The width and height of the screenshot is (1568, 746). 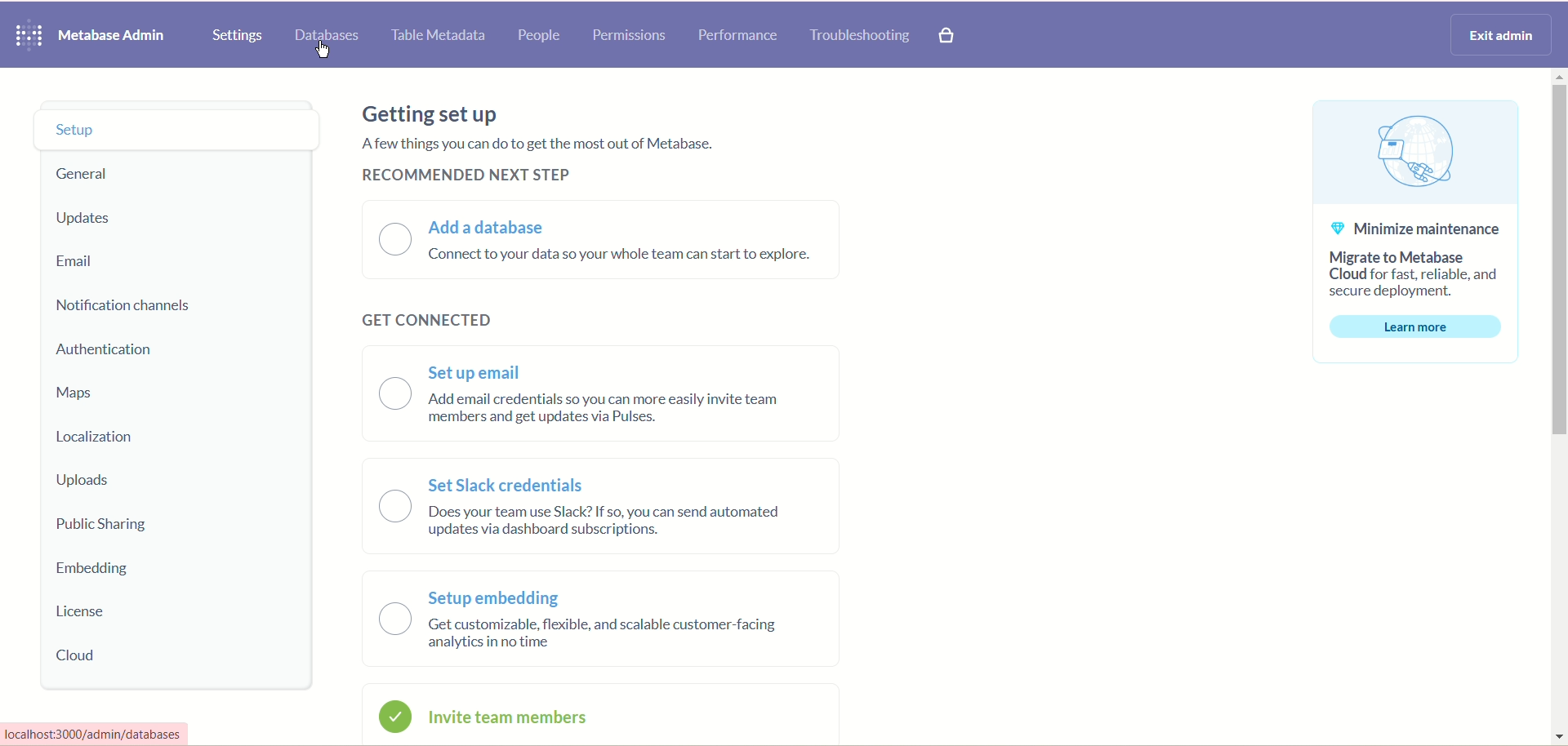 I want to click on databases, so click(x=327, y=37).